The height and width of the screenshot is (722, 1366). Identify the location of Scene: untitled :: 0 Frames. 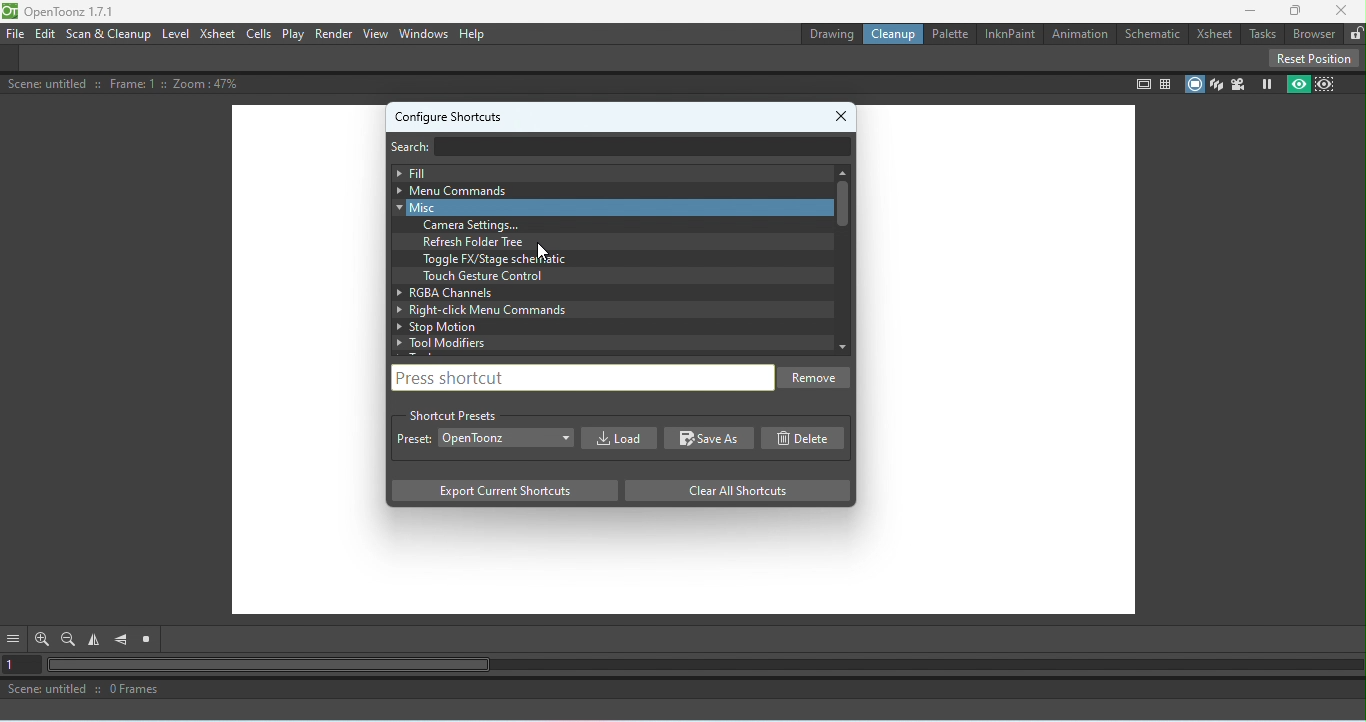
(683, 691).